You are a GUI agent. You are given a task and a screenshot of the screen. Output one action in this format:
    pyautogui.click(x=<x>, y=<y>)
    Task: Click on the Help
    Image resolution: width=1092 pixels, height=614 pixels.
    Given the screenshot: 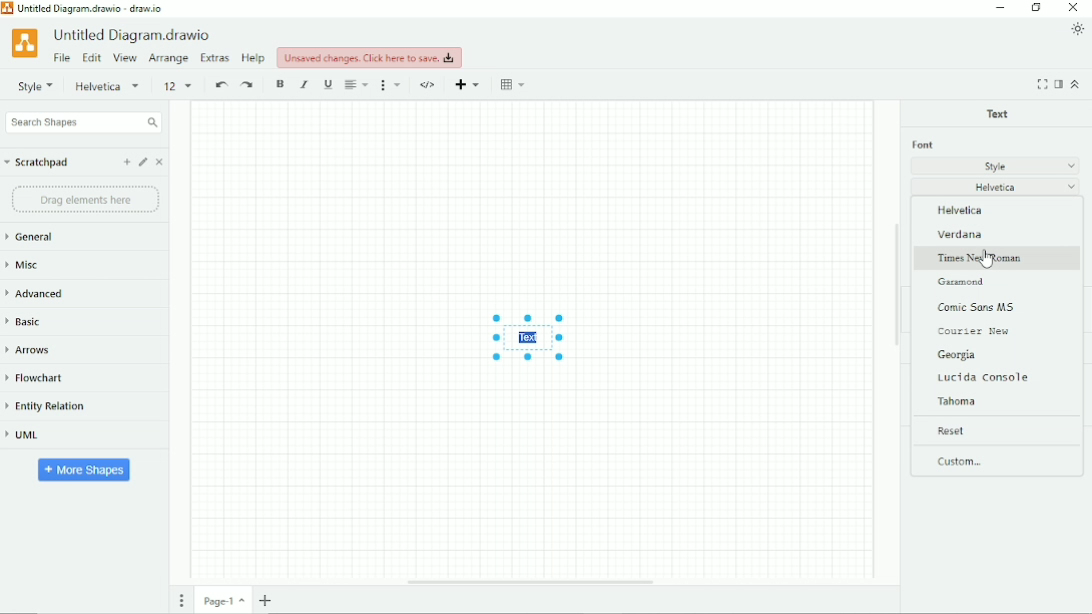 What is the action you would take?
    pyautogui.click(x=255, y=58)
    